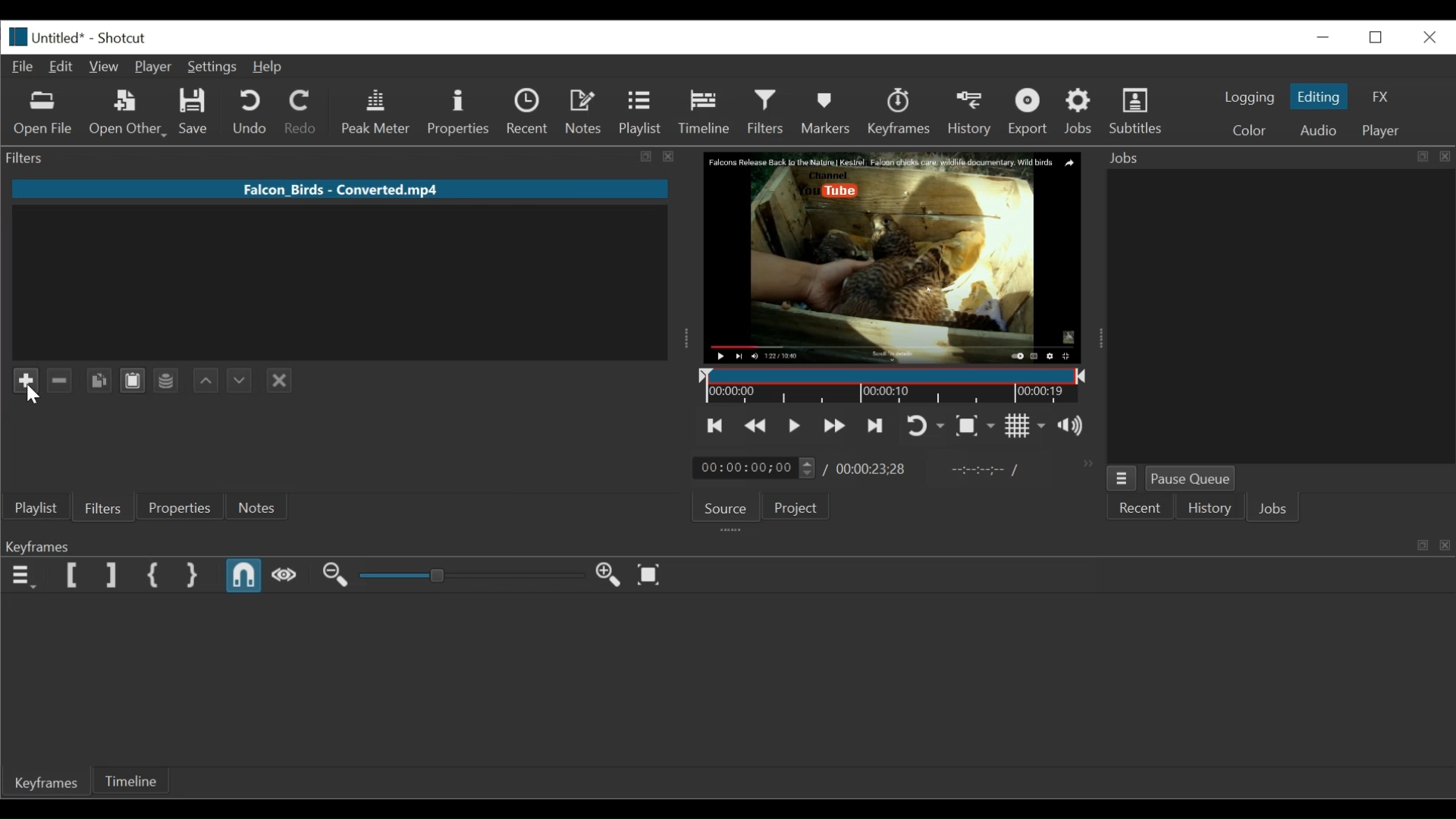  I want to click on Undo, so click(253, 113).